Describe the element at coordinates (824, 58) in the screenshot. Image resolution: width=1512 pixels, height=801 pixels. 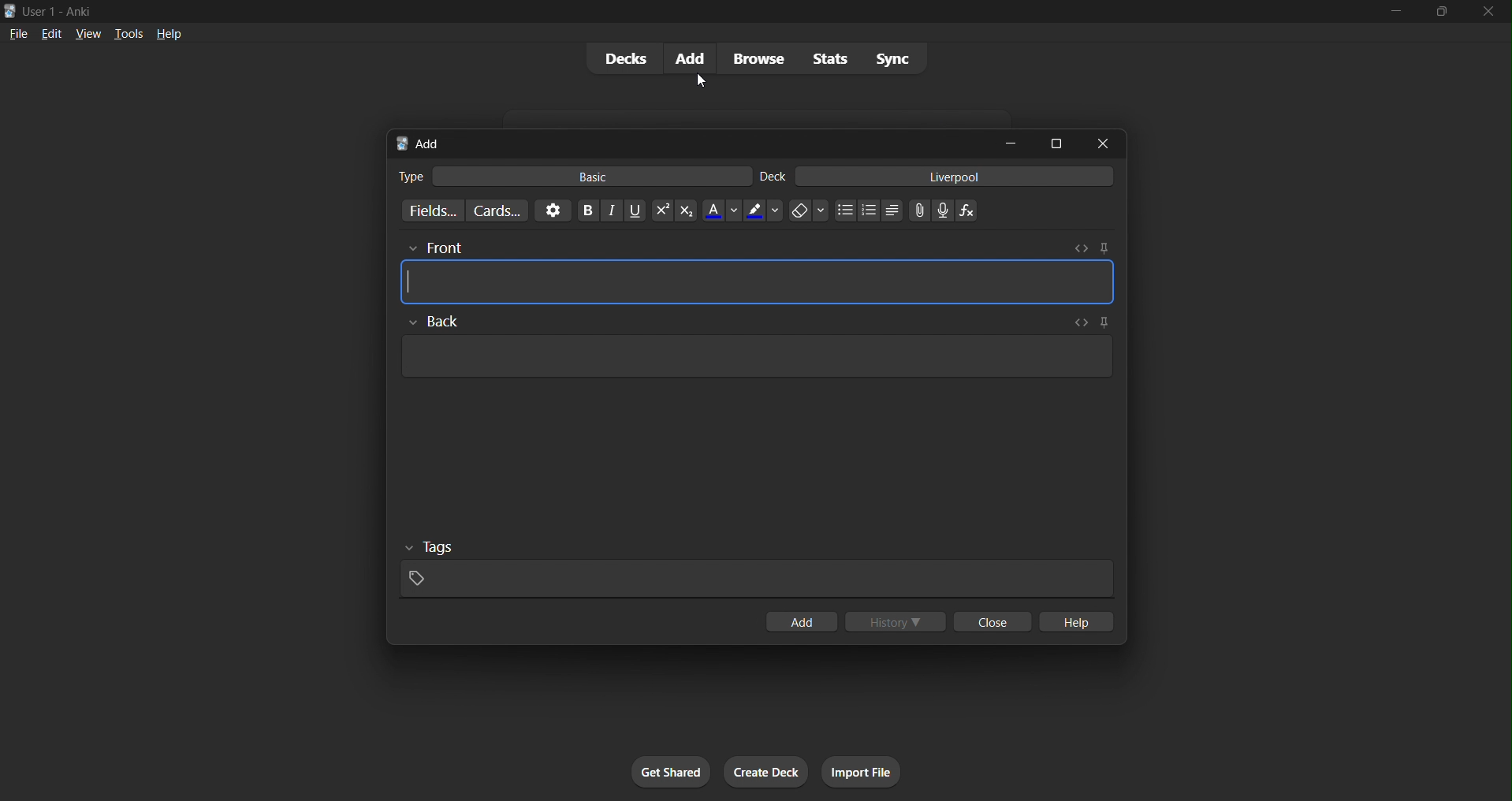
I see `stats` at that location.